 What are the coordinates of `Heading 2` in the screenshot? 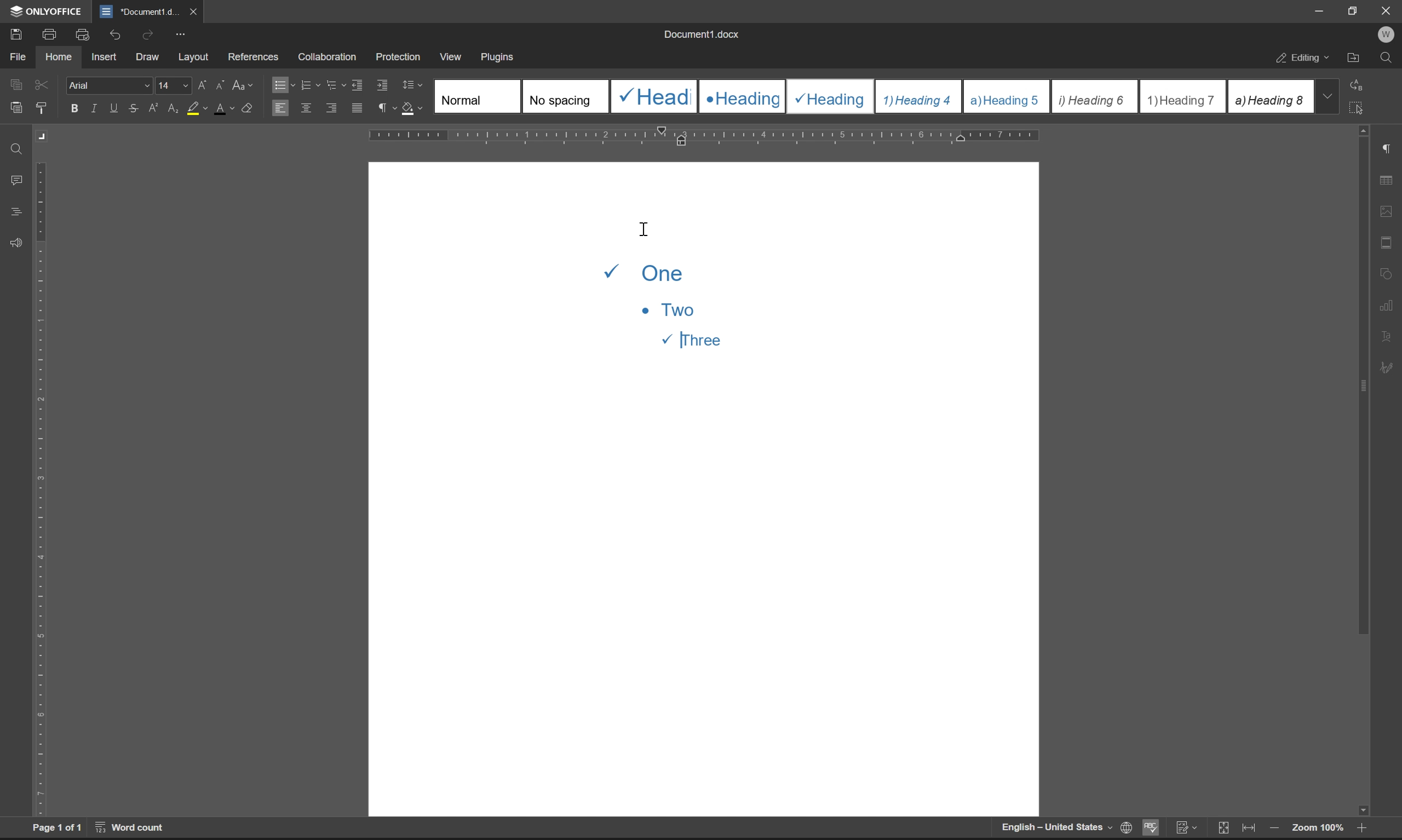 It's located at (742, 97).